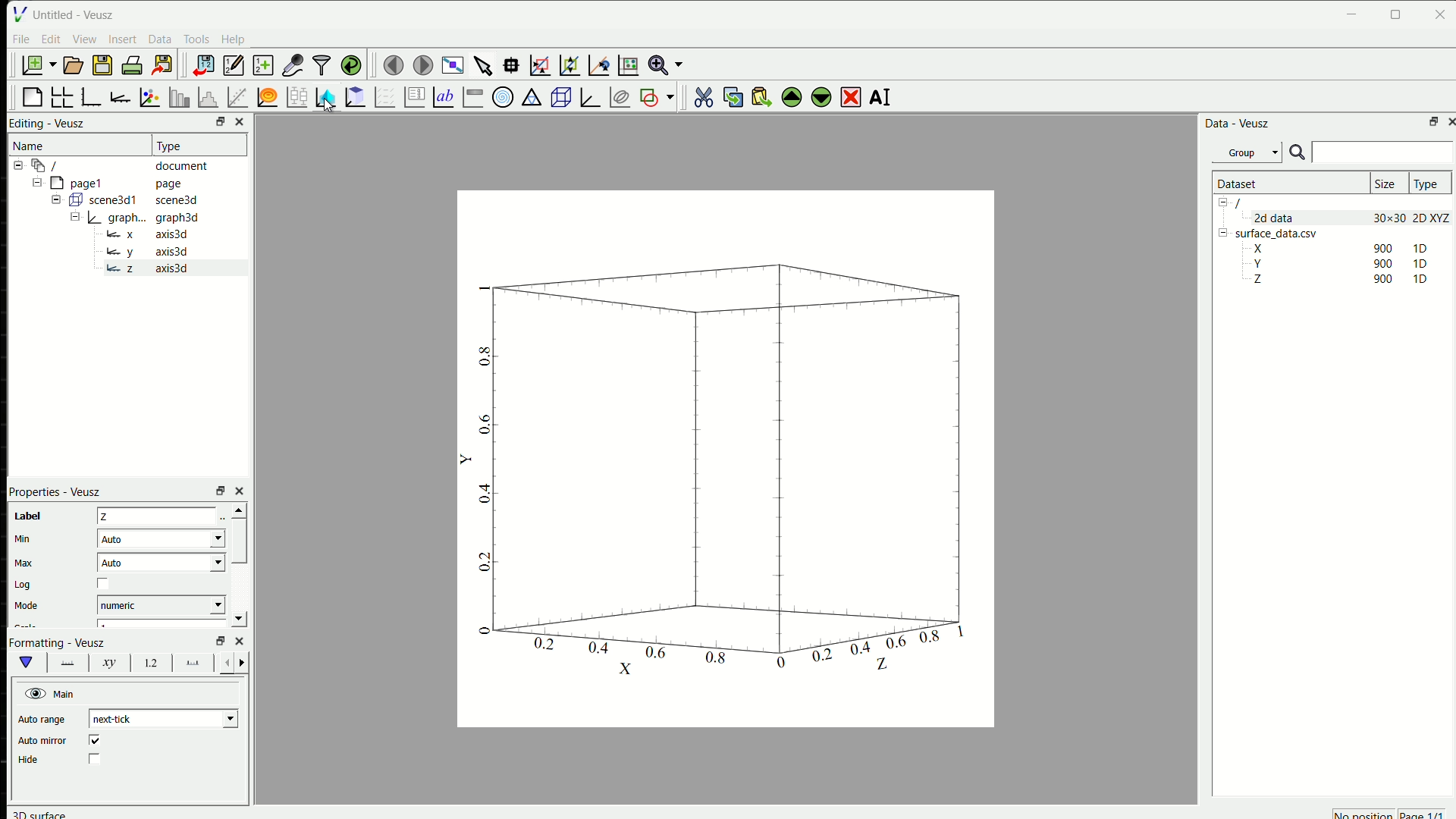  I want to click on 2d data 30x30 2D XYZ, so click(1353, 218).